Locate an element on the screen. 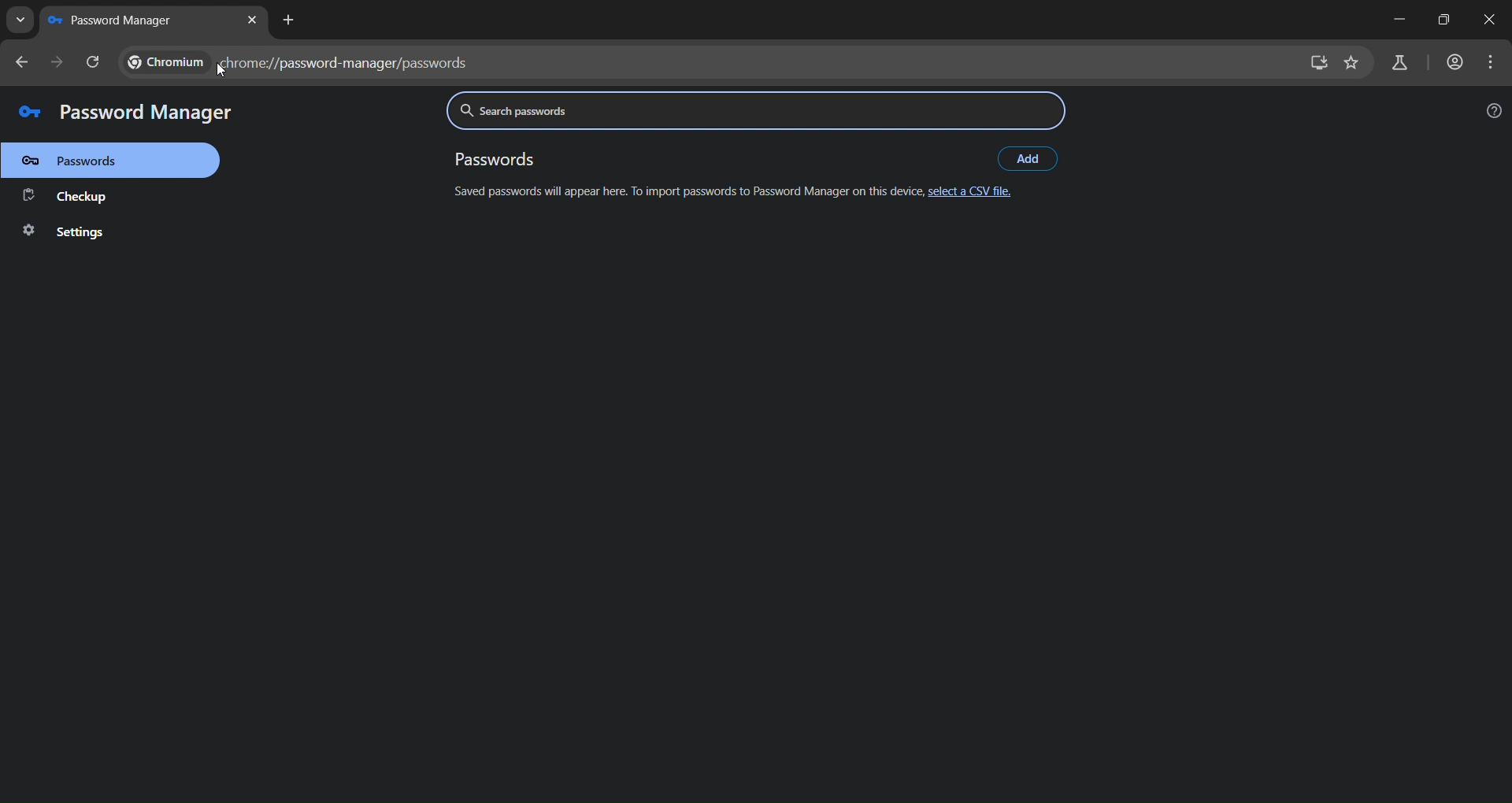 The height and width of the screenshot is (803, 1512). menu is located at coordinates (1489, 61).